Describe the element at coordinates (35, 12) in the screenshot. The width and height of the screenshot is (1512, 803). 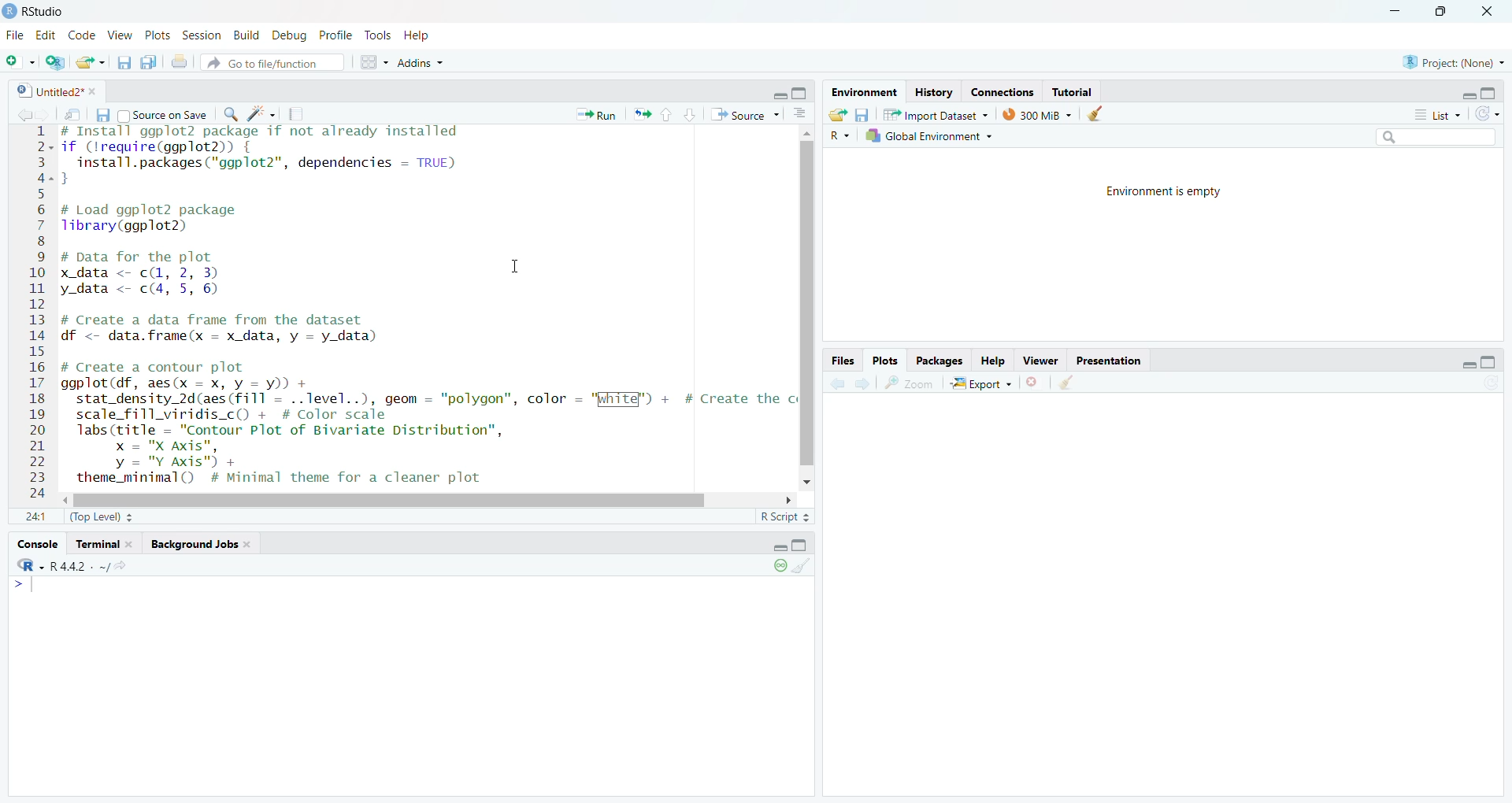
I see ` Rstudio` at that location.